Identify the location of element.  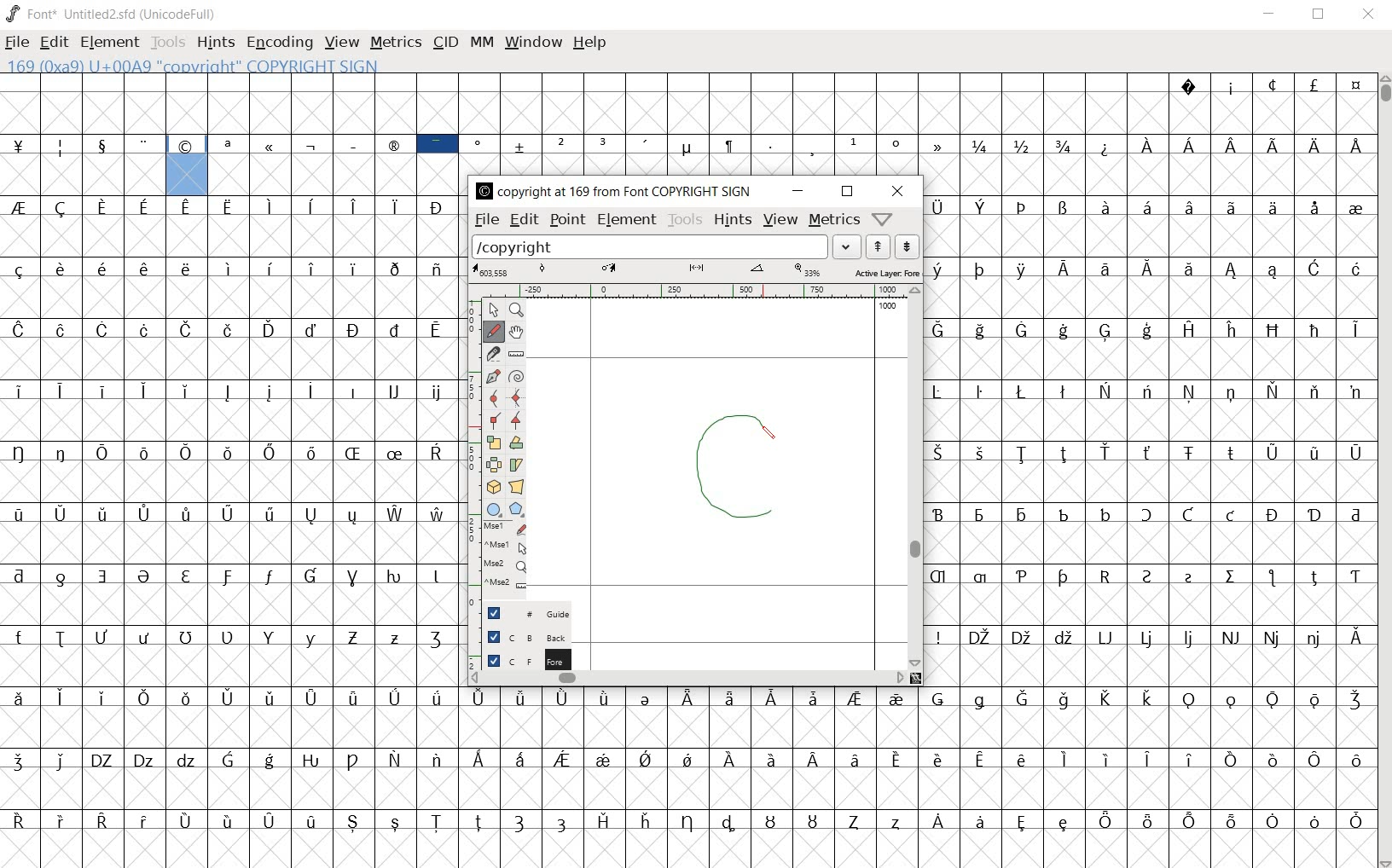
(627, 220).